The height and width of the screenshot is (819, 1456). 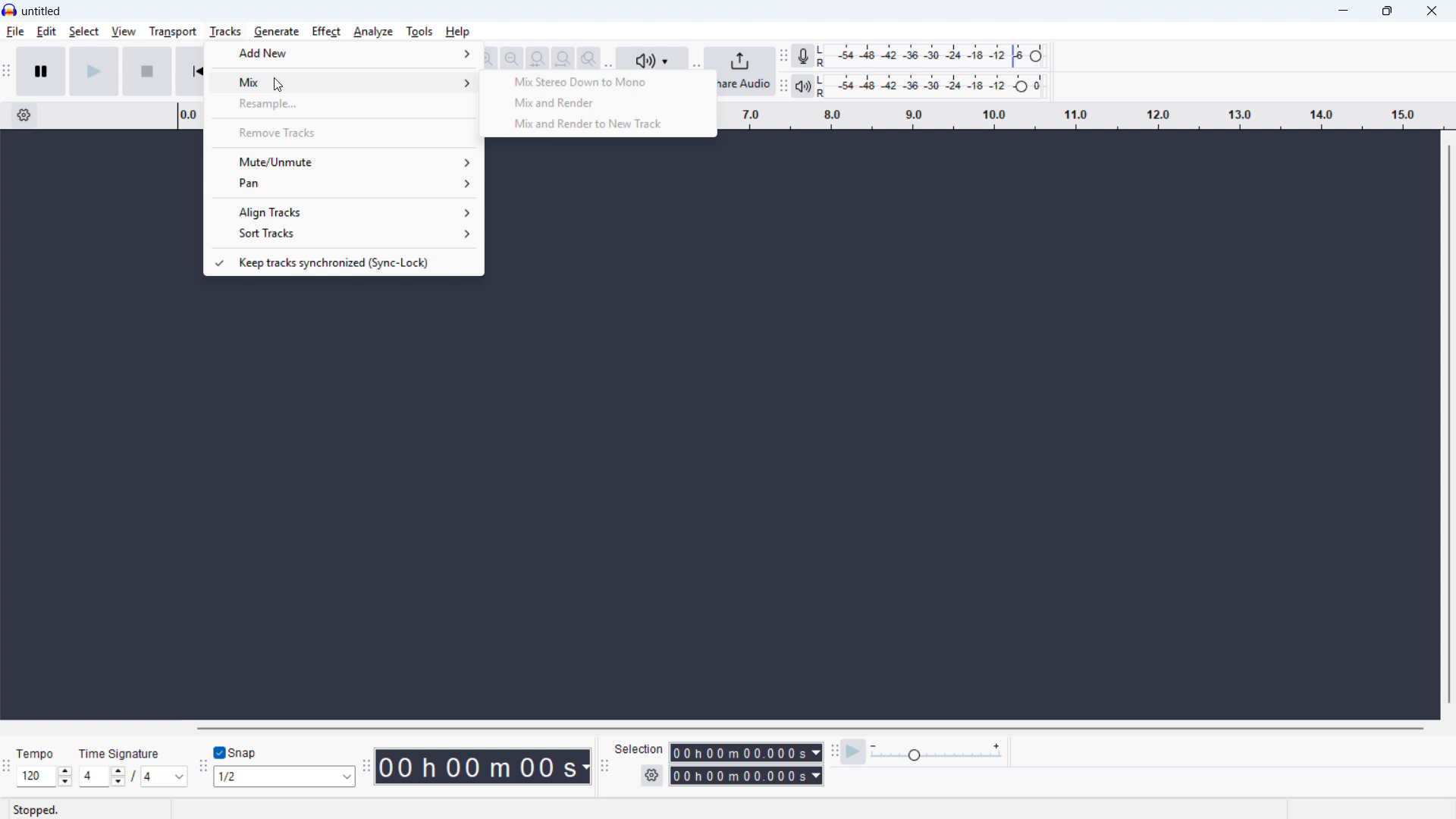 What do you see at coordinates (419, 31) in the screenshot?
I see `Tools ` at bounding box center [419, 31].